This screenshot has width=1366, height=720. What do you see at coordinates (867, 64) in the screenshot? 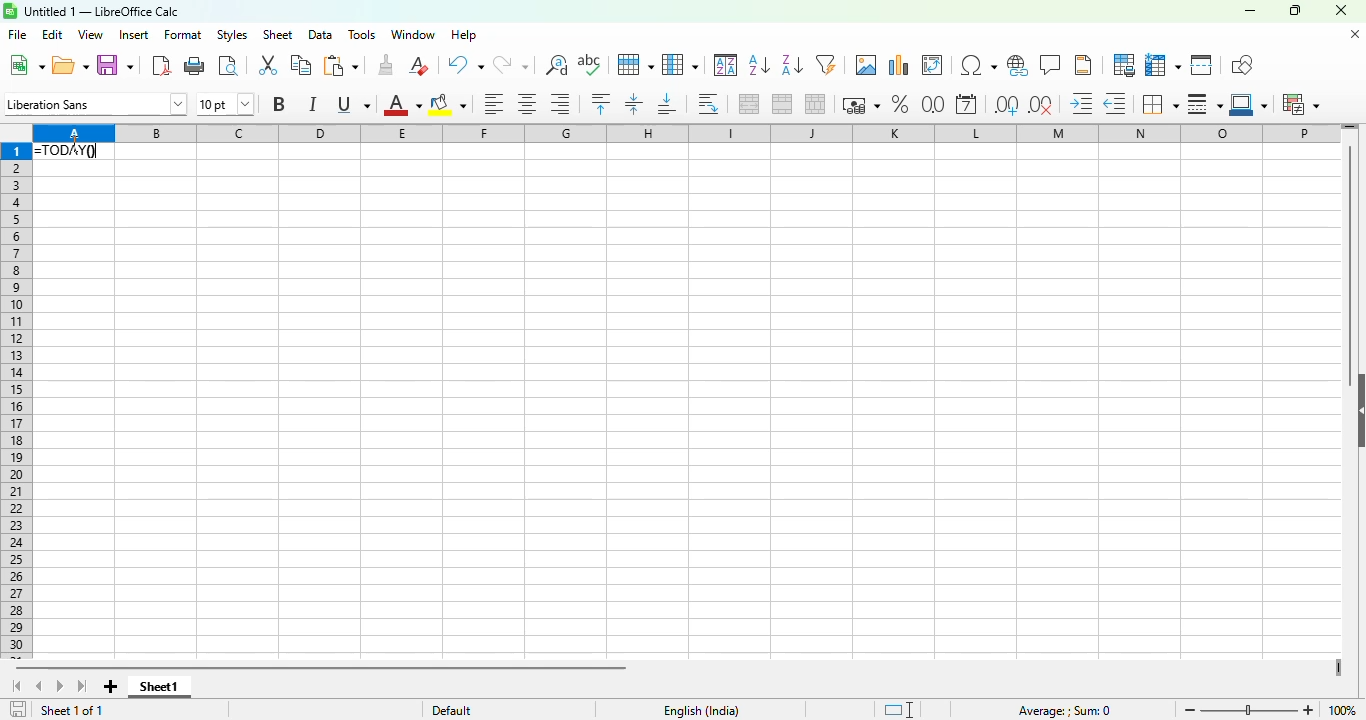
I see `insert image` at bounding box center [867, 64].